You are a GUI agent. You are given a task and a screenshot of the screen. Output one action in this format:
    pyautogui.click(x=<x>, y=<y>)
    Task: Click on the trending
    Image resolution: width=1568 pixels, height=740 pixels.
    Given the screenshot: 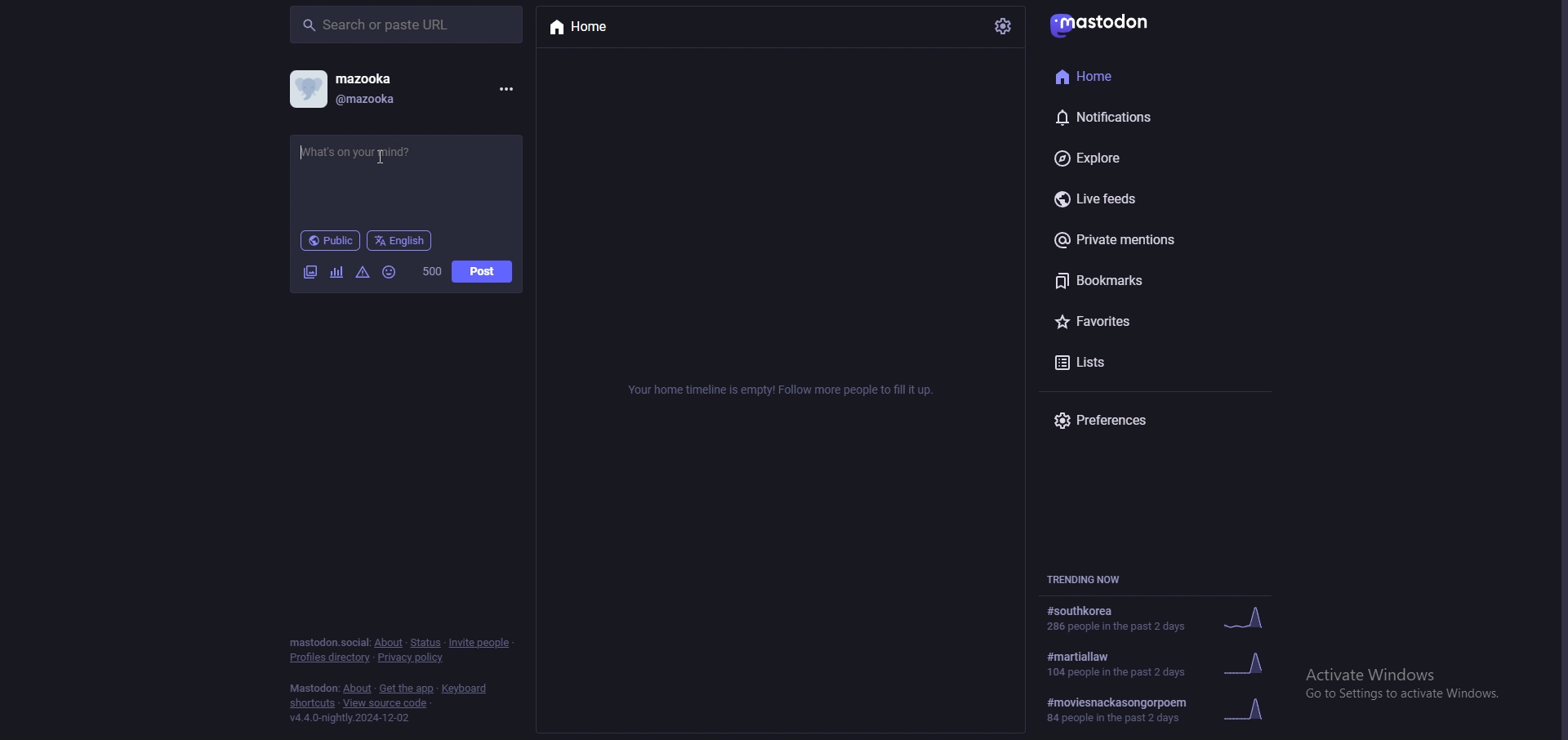 What is the action you would take?
    pyautogui.click(x=1157, y=617)
    